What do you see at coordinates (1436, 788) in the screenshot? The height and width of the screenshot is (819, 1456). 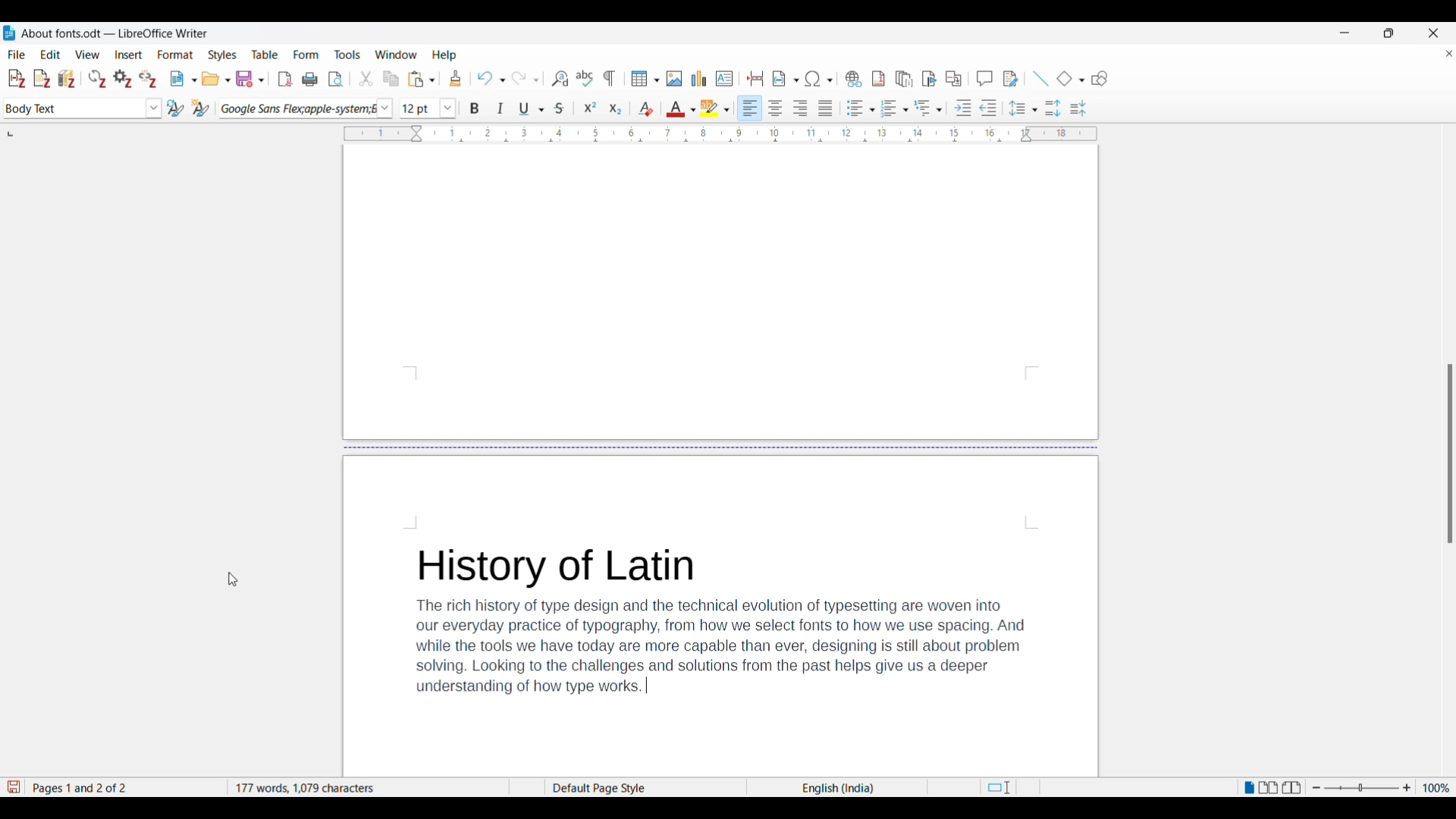 I see `Current zoom factor` at bounding box center [1436, 788].